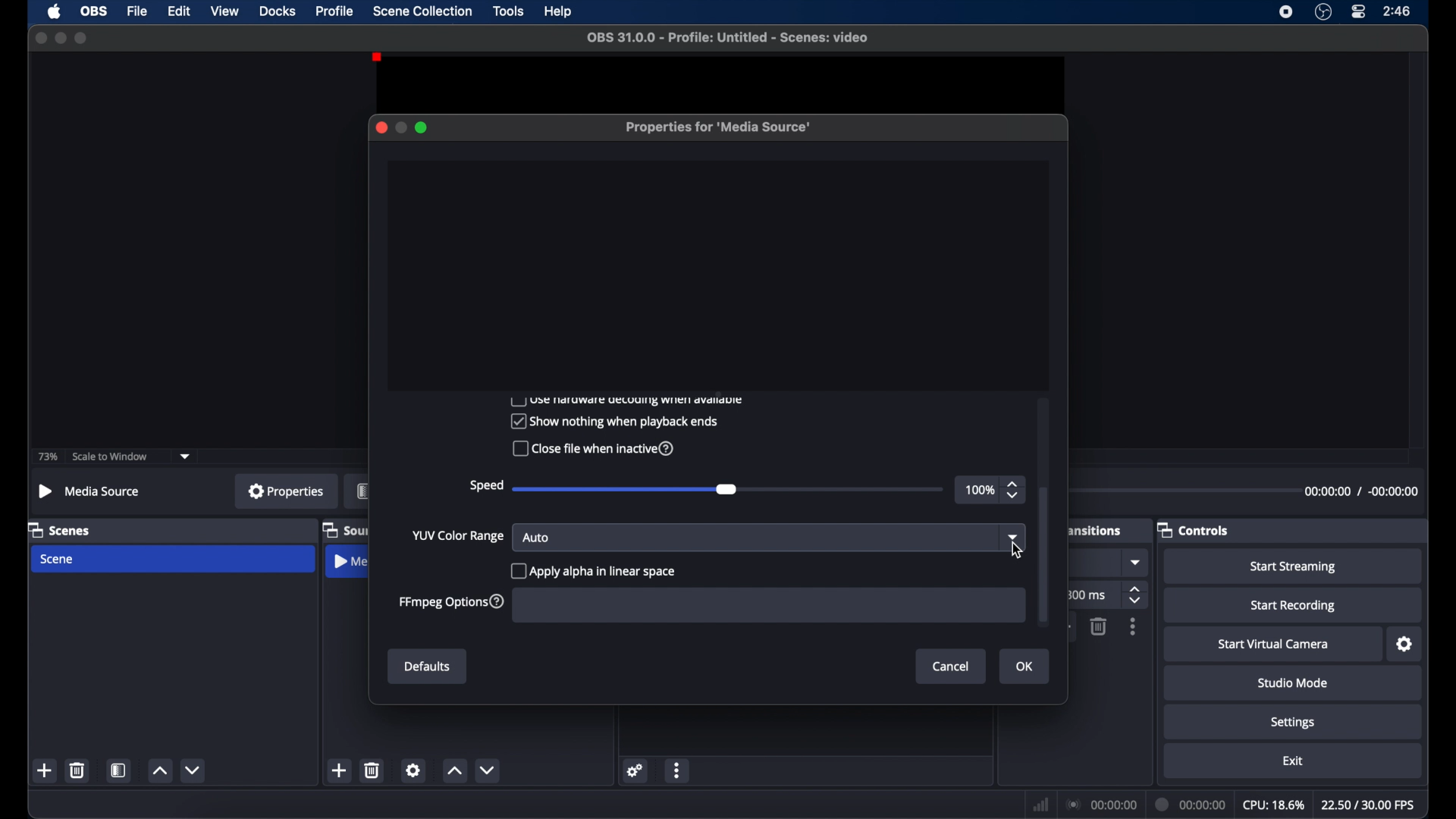 Image resolution: width=1456 pixels, height=819 pixels. I want to click on delete, so click(1097, 626).